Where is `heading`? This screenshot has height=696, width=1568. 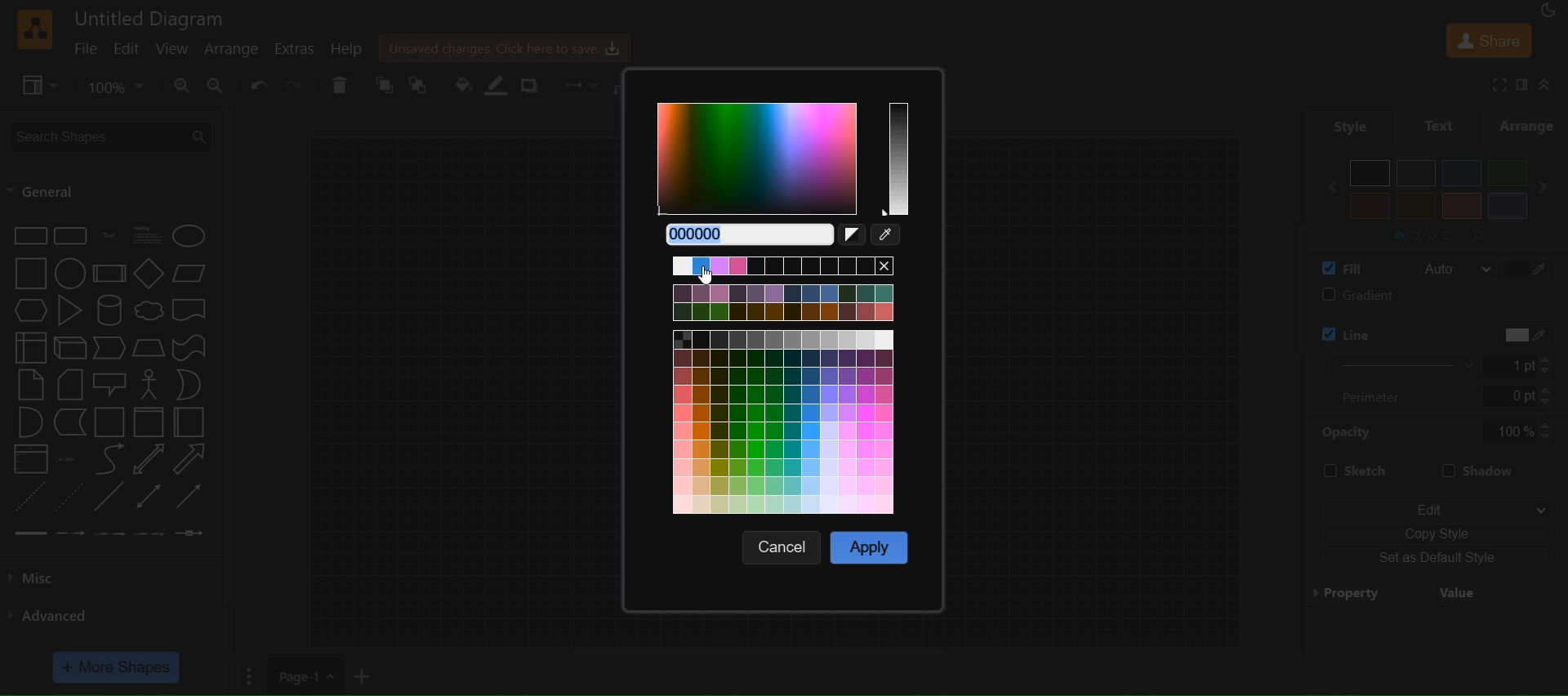
heading is located at coordinates (149, 235).